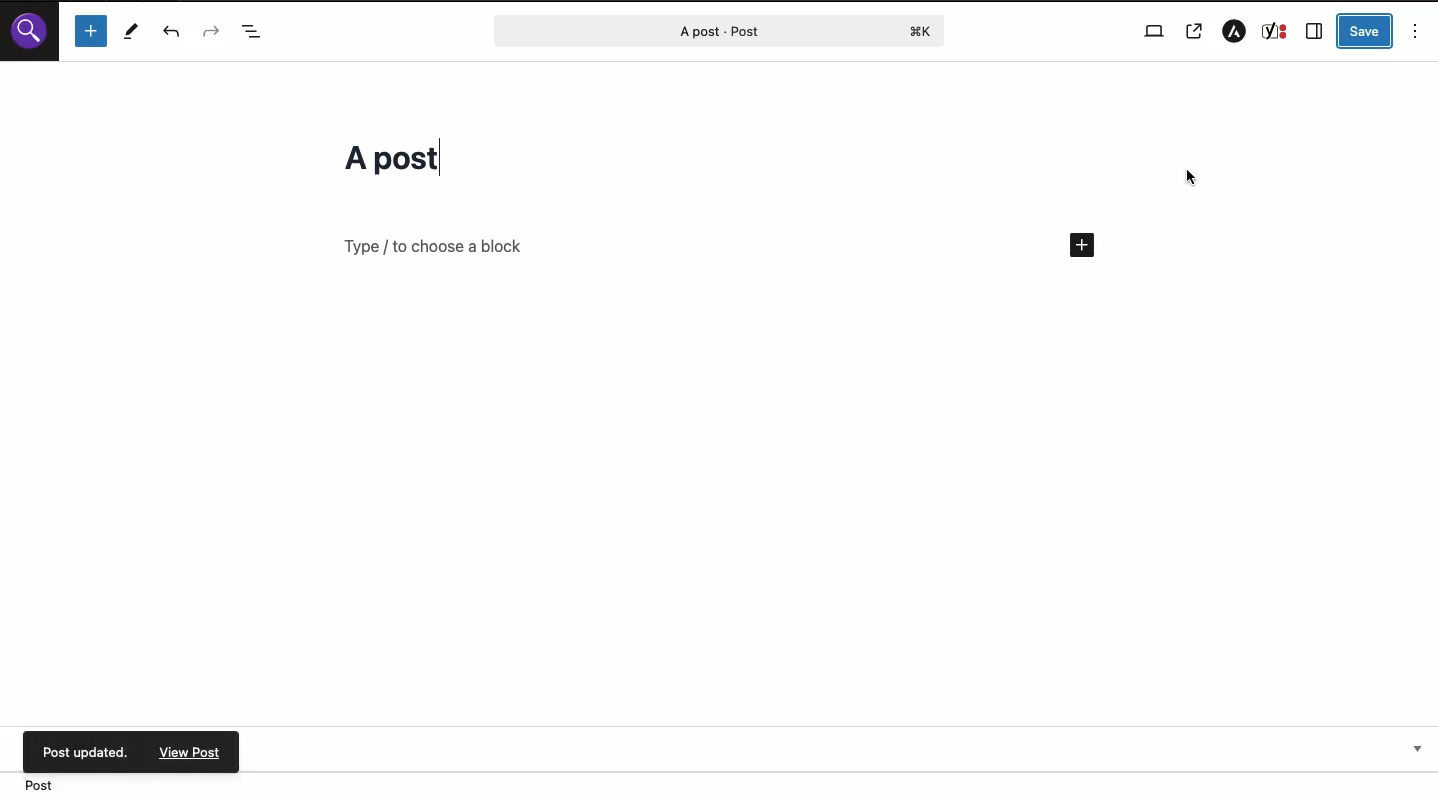 Image resolution: width=1438 pixels, height=796 pixels. What do you see at coordinates (1151, 30) in the screenshot?
I see `View` at bounding box center [1151, 30].